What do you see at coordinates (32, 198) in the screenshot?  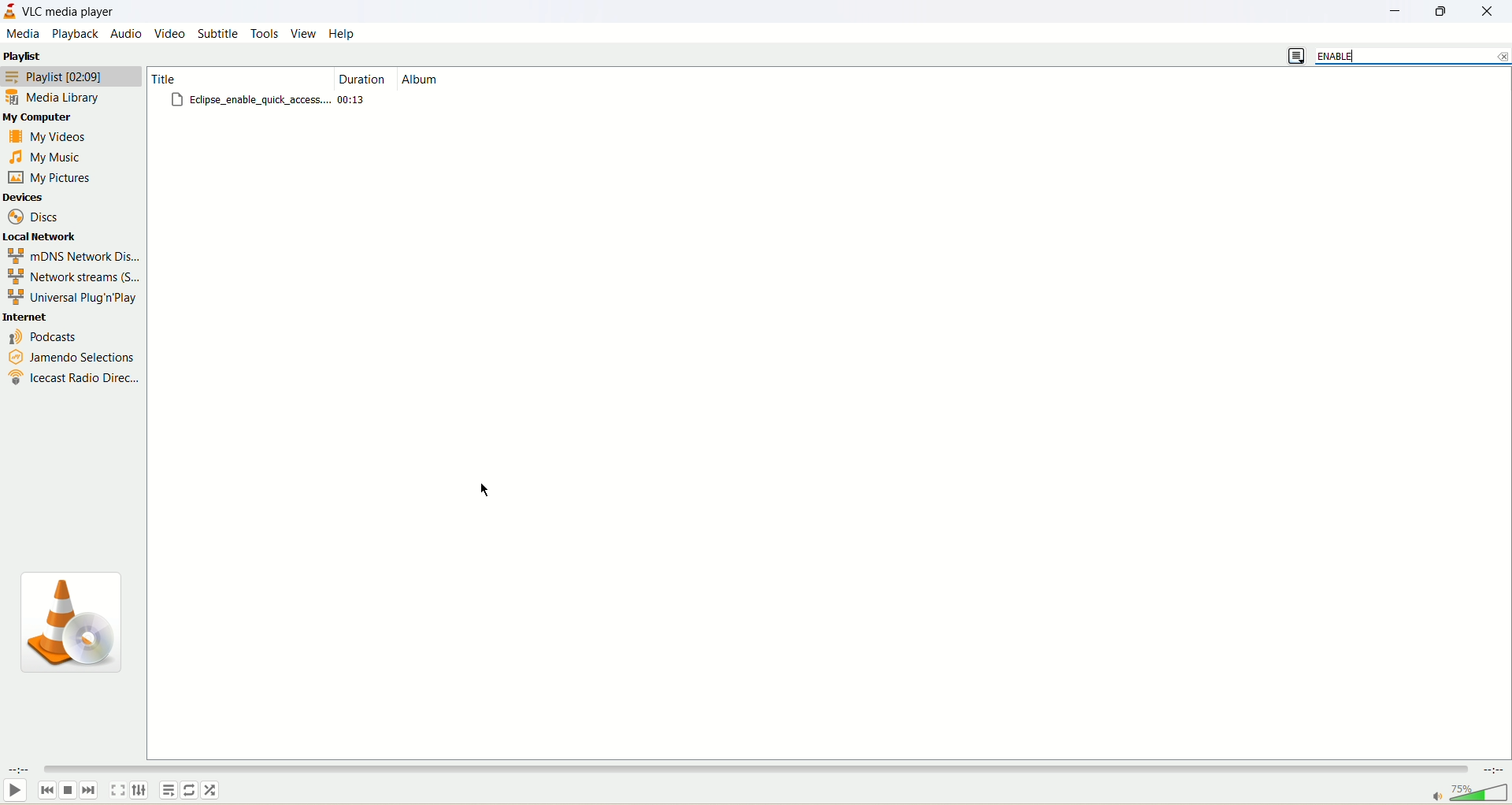 I see `devices` at bounding box center [32, 198].